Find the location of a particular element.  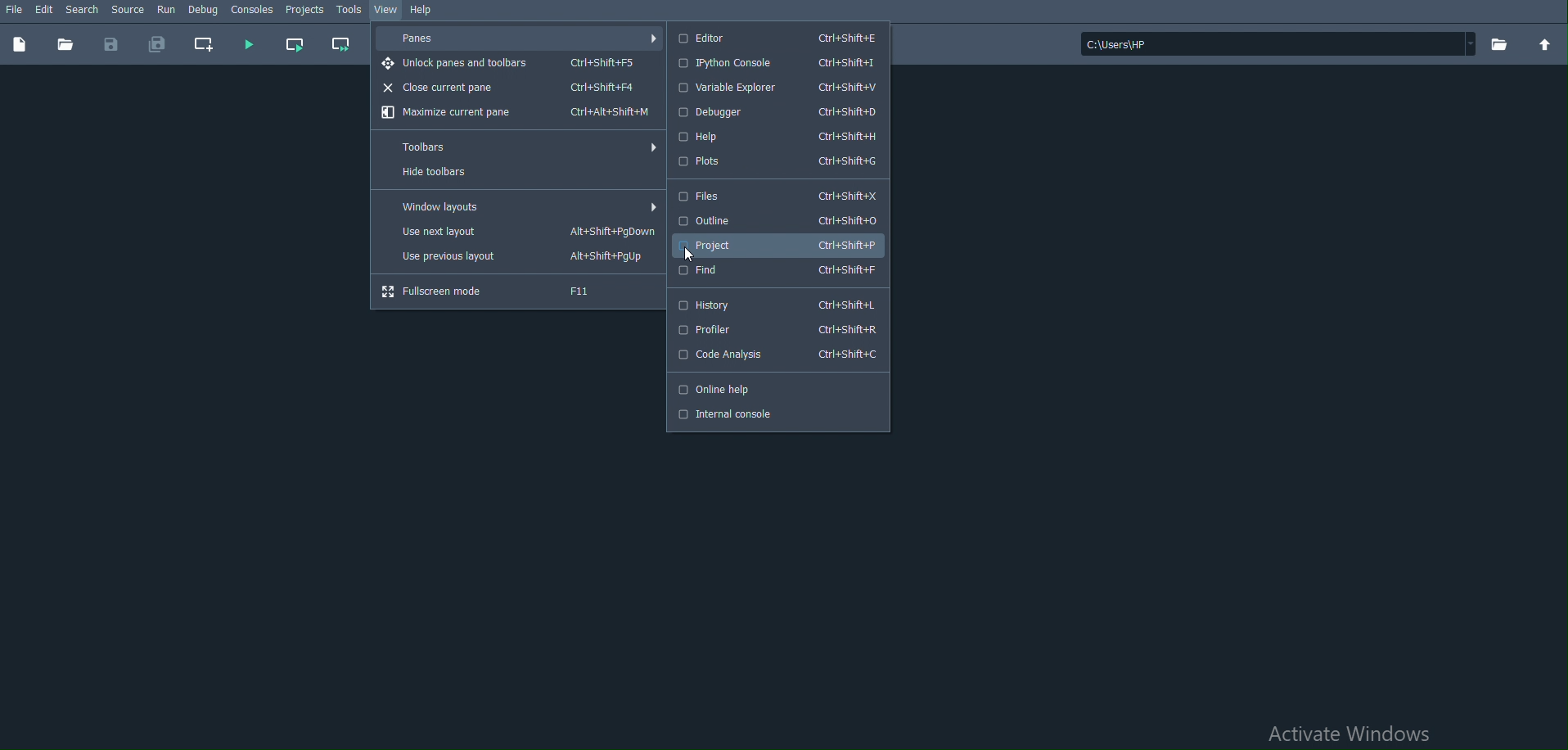

Window layouts is located at coordinates (516, 206).